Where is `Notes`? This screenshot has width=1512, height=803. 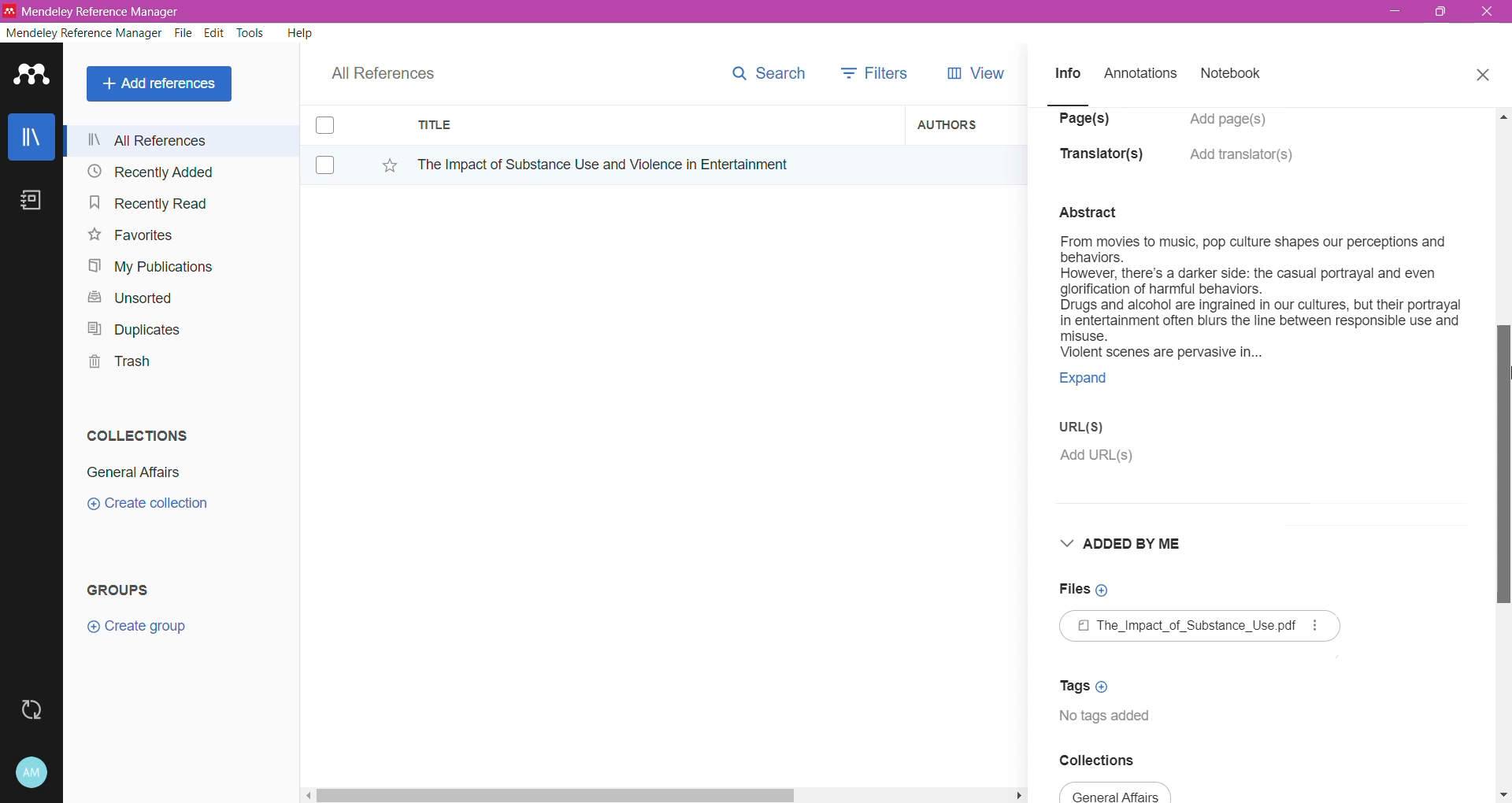
Notes is located at coordinates (35, 202).